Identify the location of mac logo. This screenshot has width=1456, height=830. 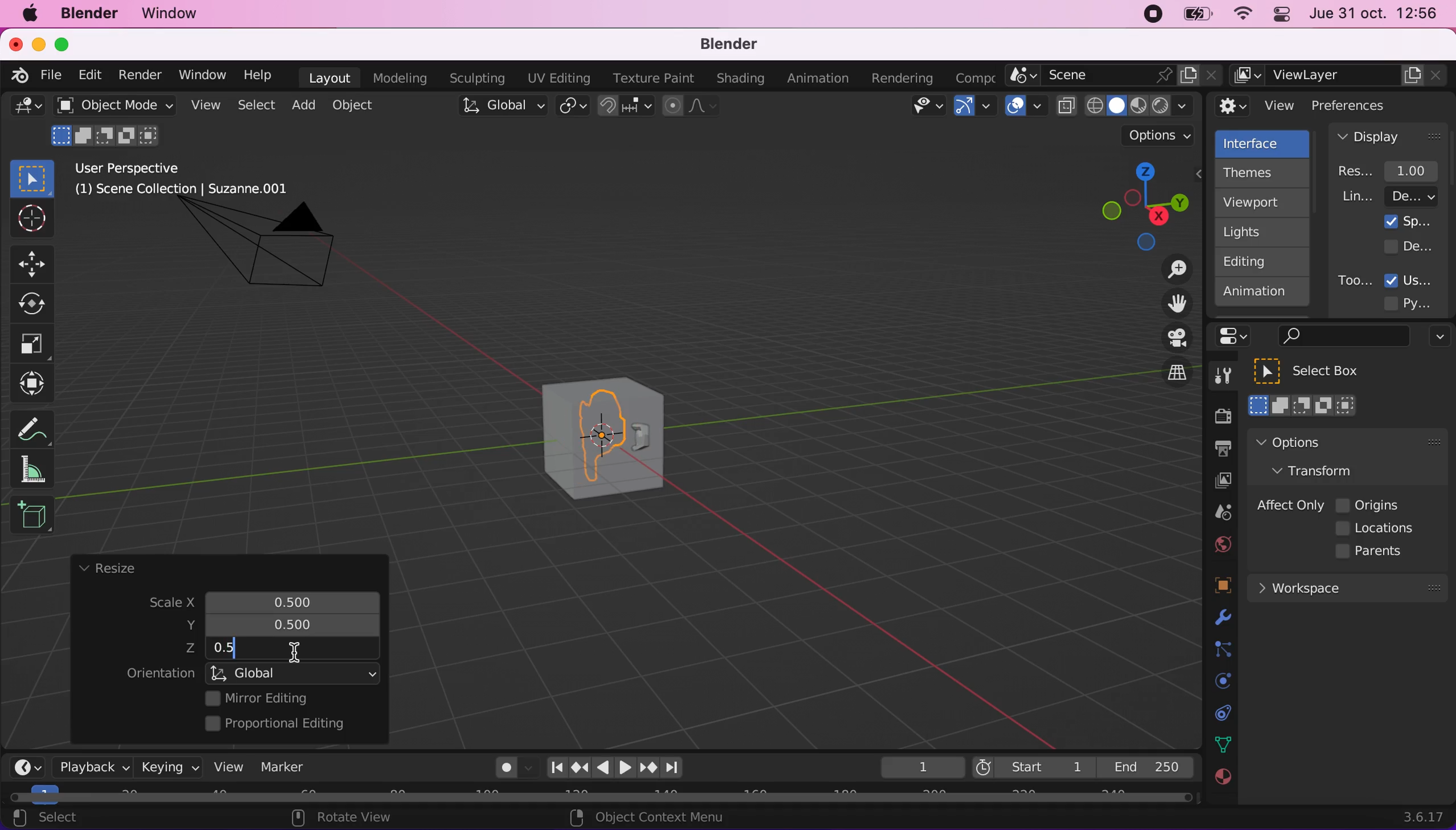
(29, 15).